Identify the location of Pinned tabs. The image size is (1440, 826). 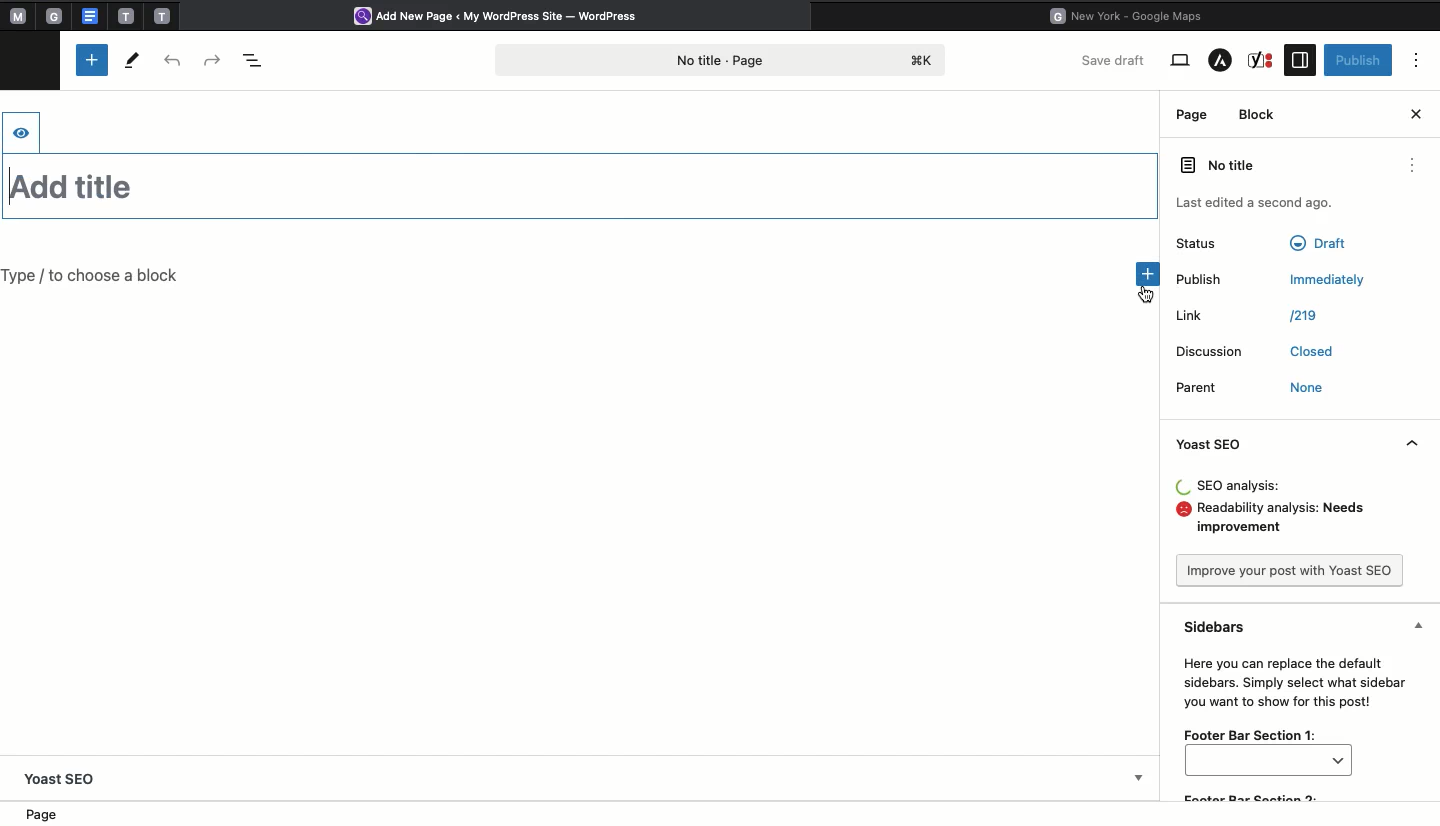
(15, 17).